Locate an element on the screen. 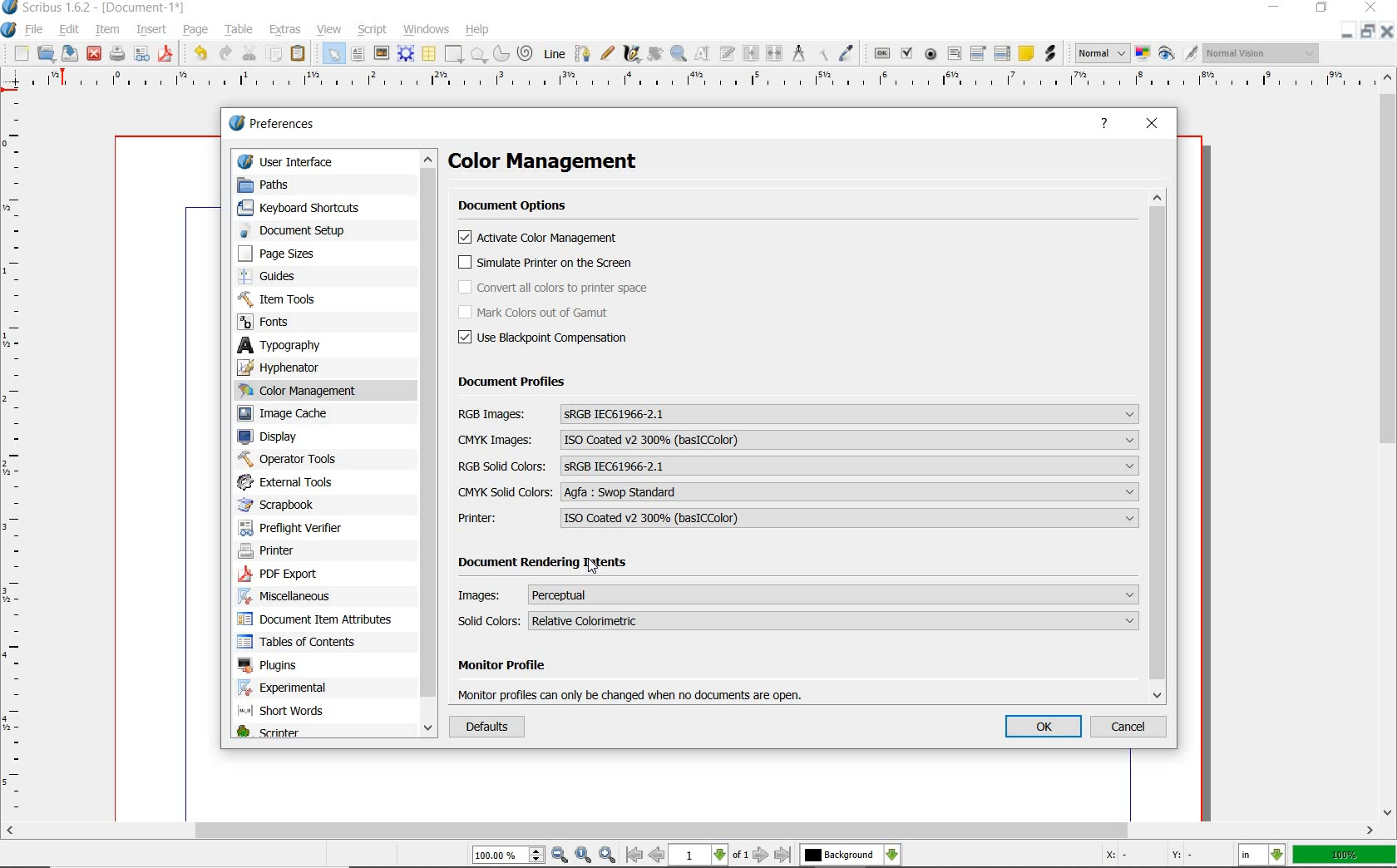  solid colors is located at coordinates (800, 620).